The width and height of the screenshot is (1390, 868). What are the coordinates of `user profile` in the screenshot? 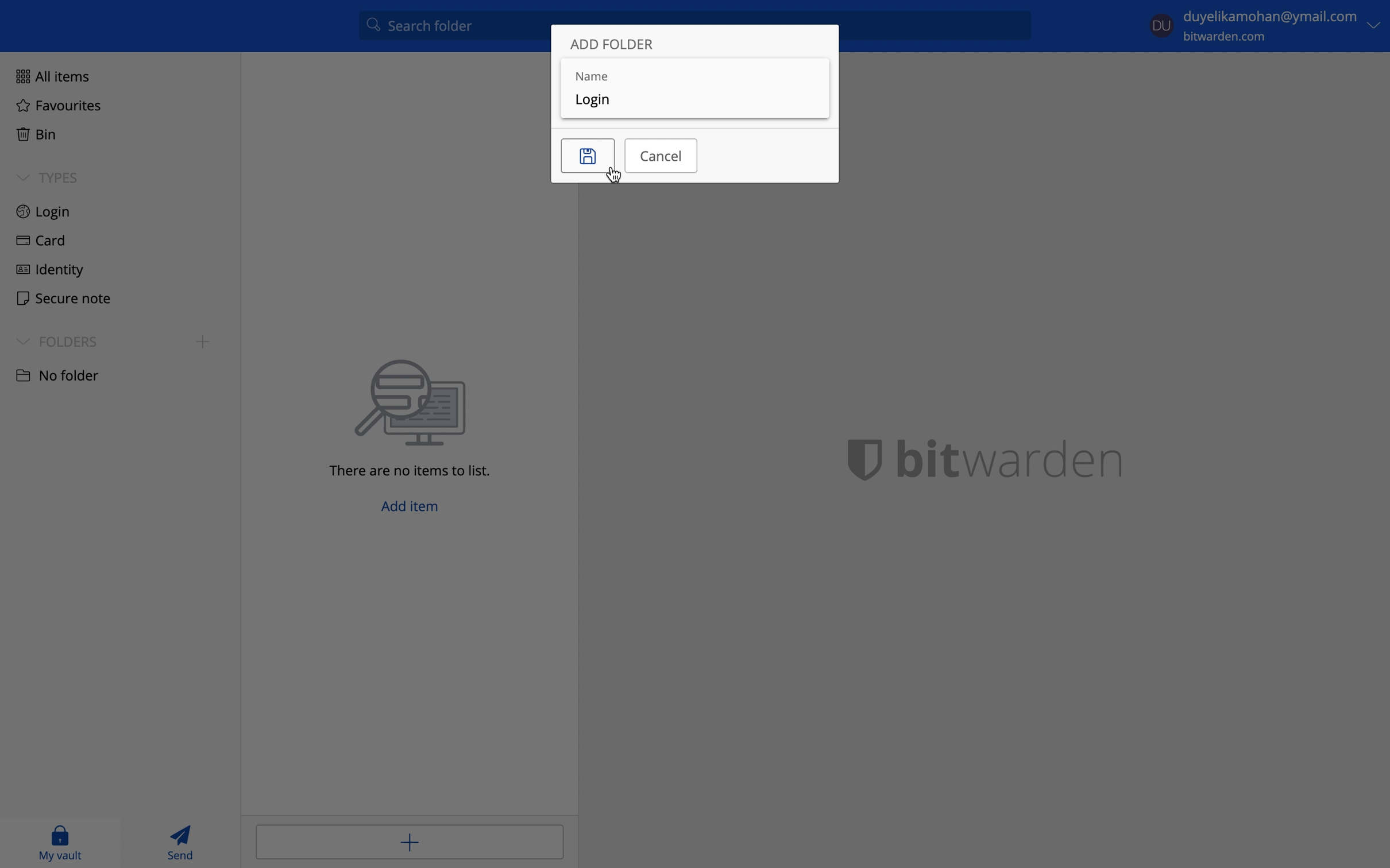 It's located at (1162, 24).